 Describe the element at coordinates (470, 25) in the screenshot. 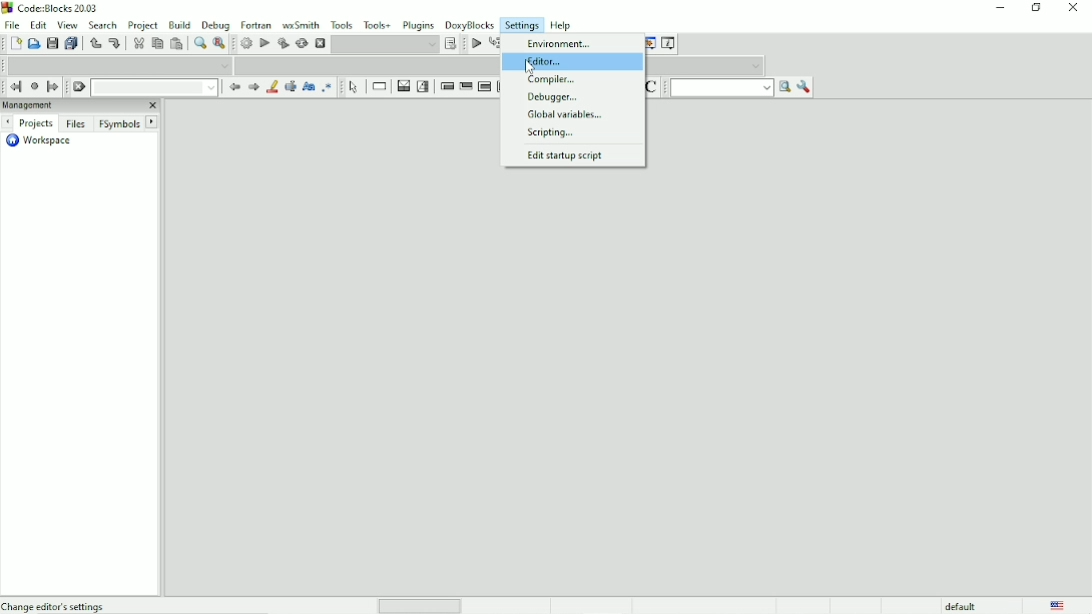

I see `DoxyBlocks` at that location.